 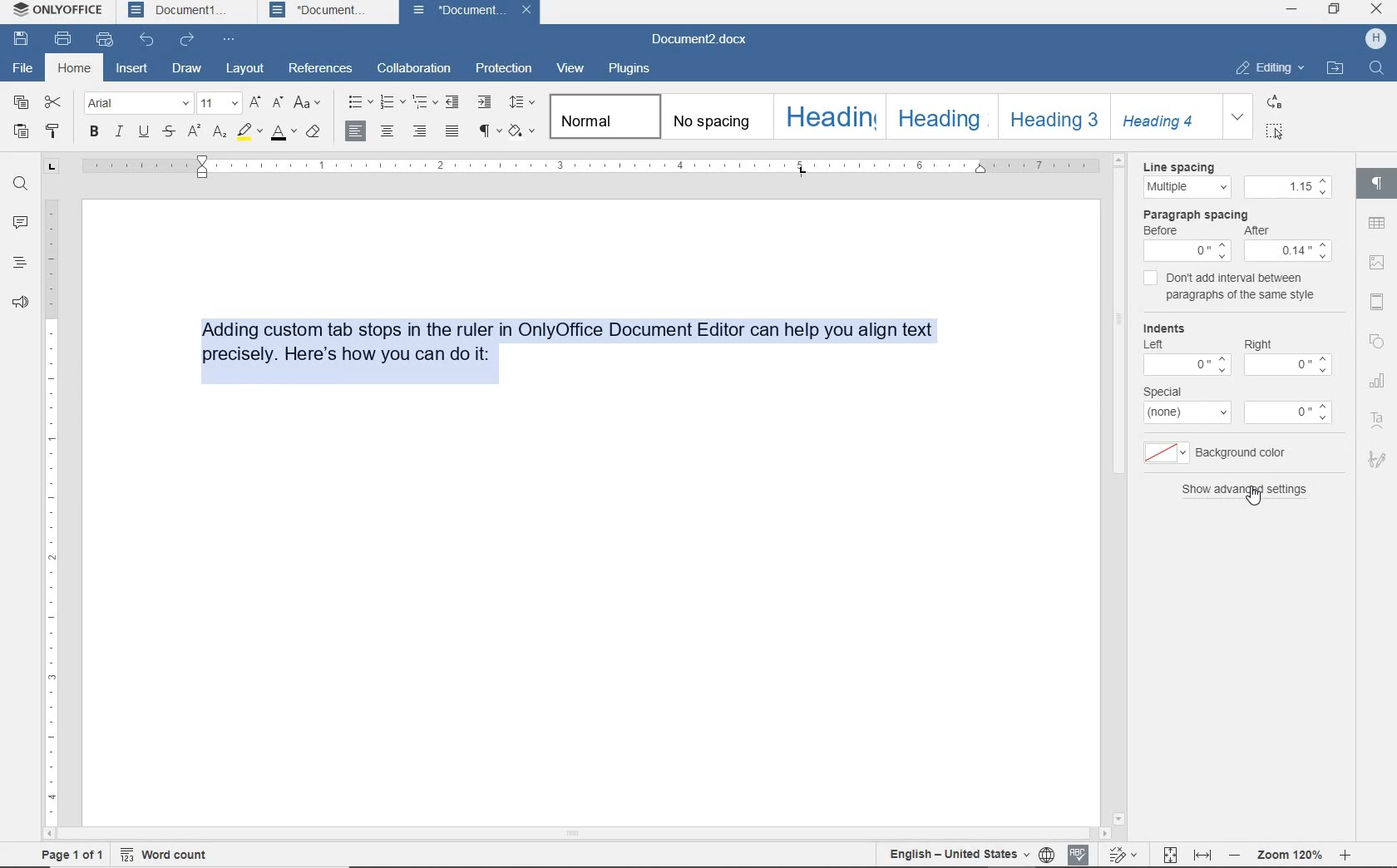 What do you see at coordinates (1167, 117) in the screenshot?
I see `heading 4` at bounding box center [1167, 117].